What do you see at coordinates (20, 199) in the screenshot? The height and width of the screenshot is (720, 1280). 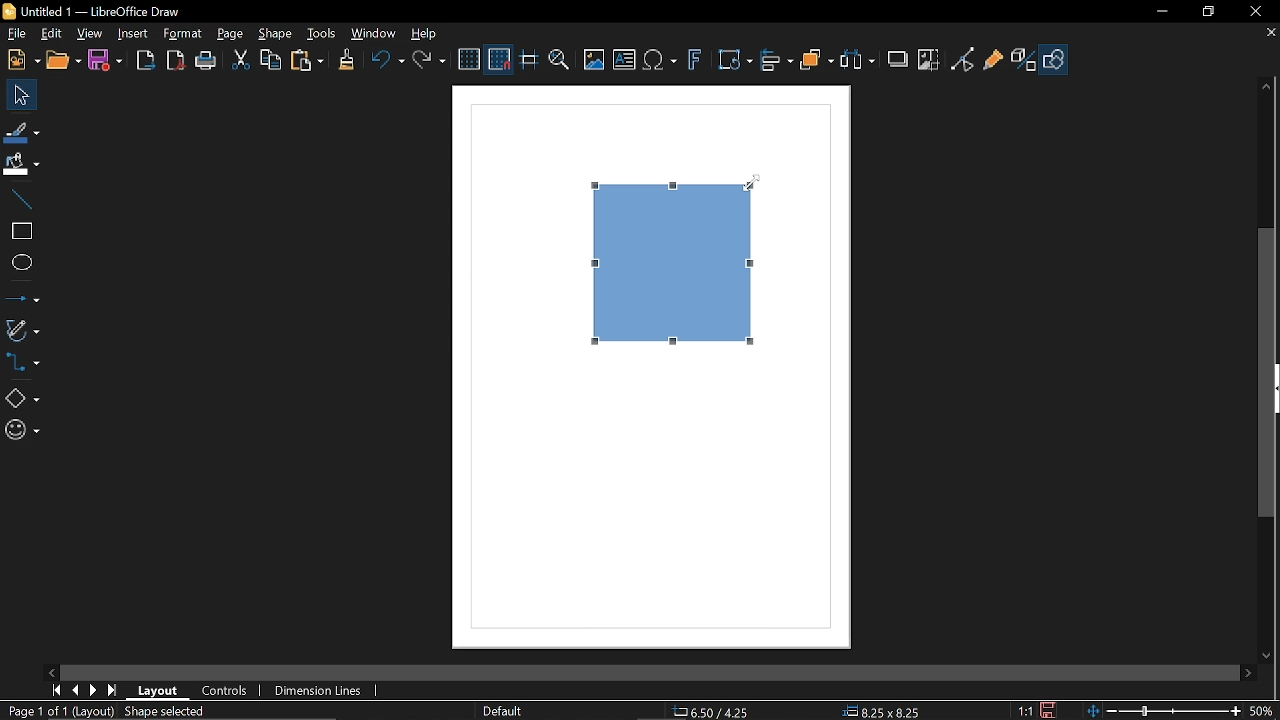 I see `Line` at bounding box center [20, 199].